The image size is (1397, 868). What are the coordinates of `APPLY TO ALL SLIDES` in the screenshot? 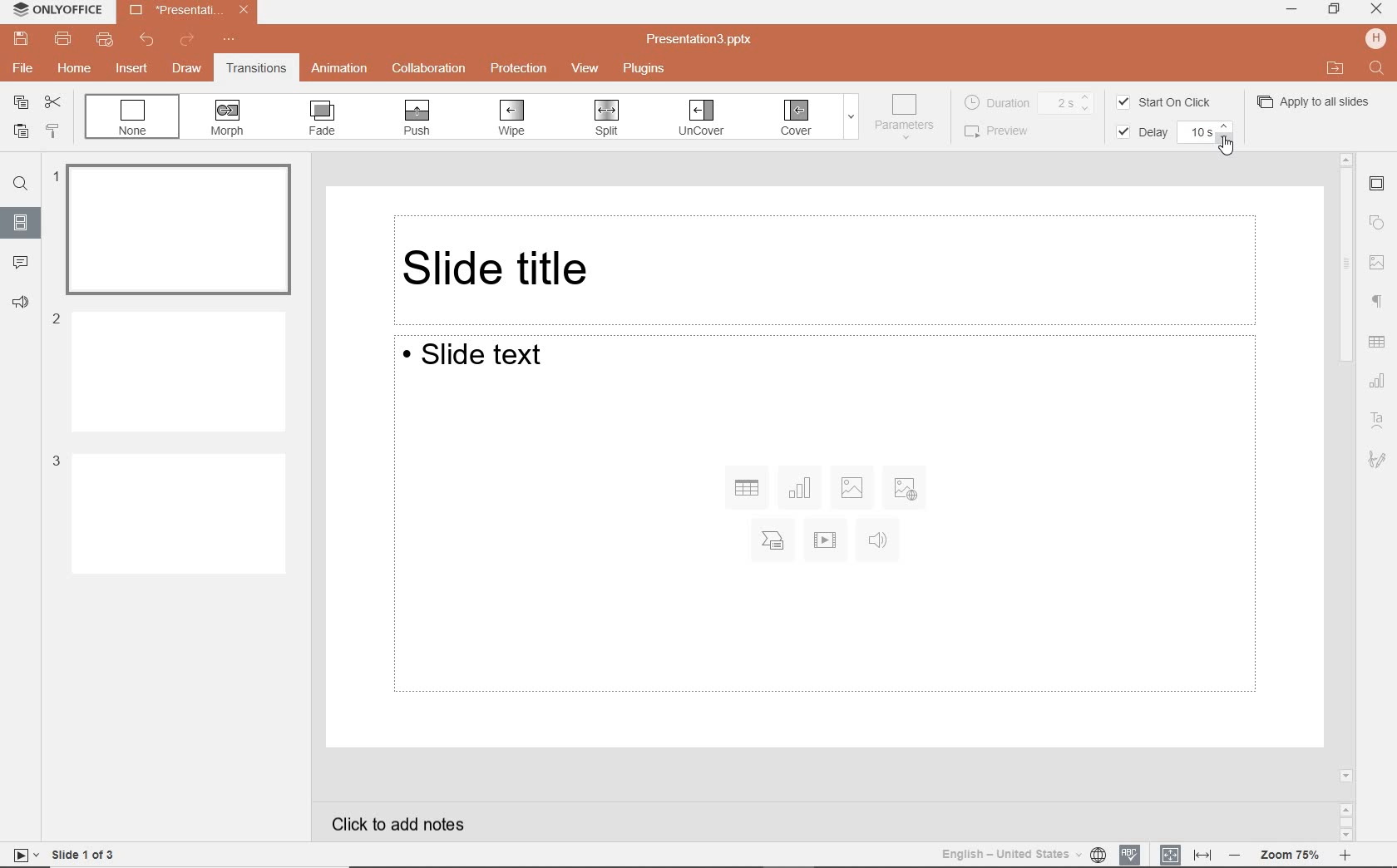 It's located at (1315, 101).